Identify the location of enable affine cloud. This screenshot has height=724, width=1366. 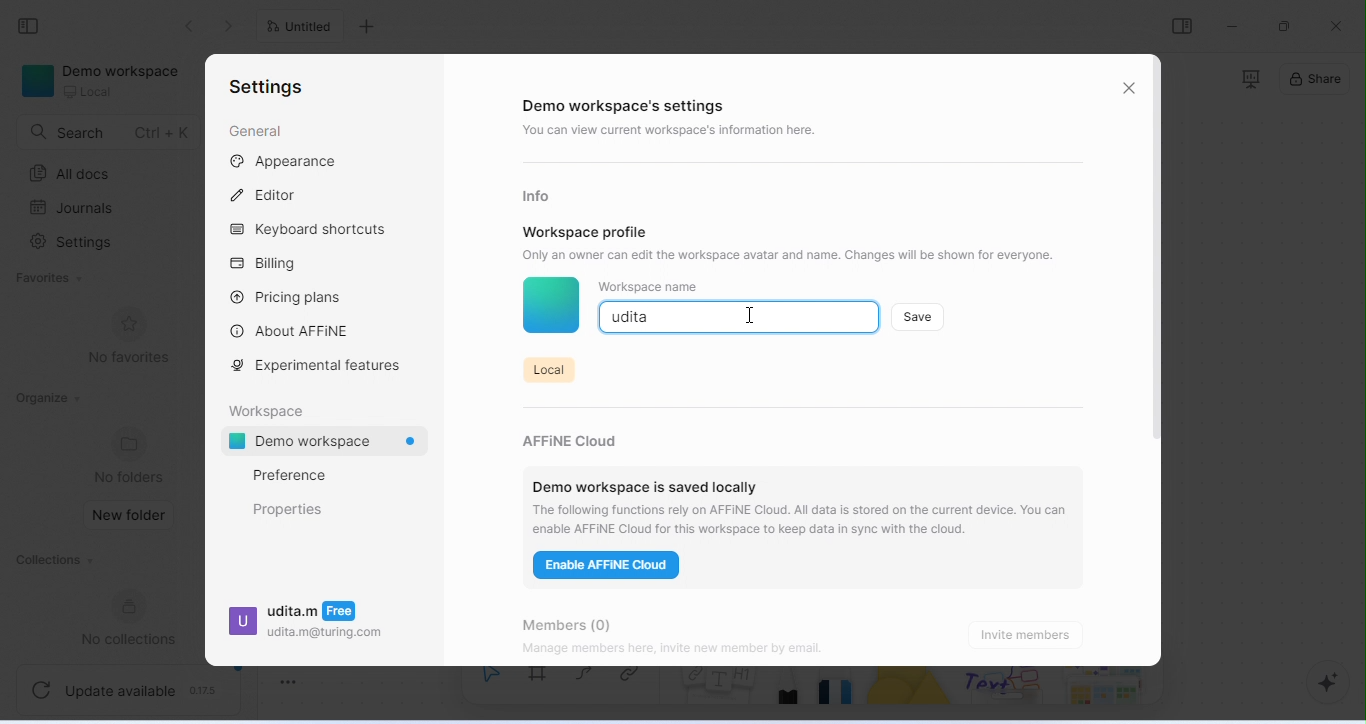
(609, 568).